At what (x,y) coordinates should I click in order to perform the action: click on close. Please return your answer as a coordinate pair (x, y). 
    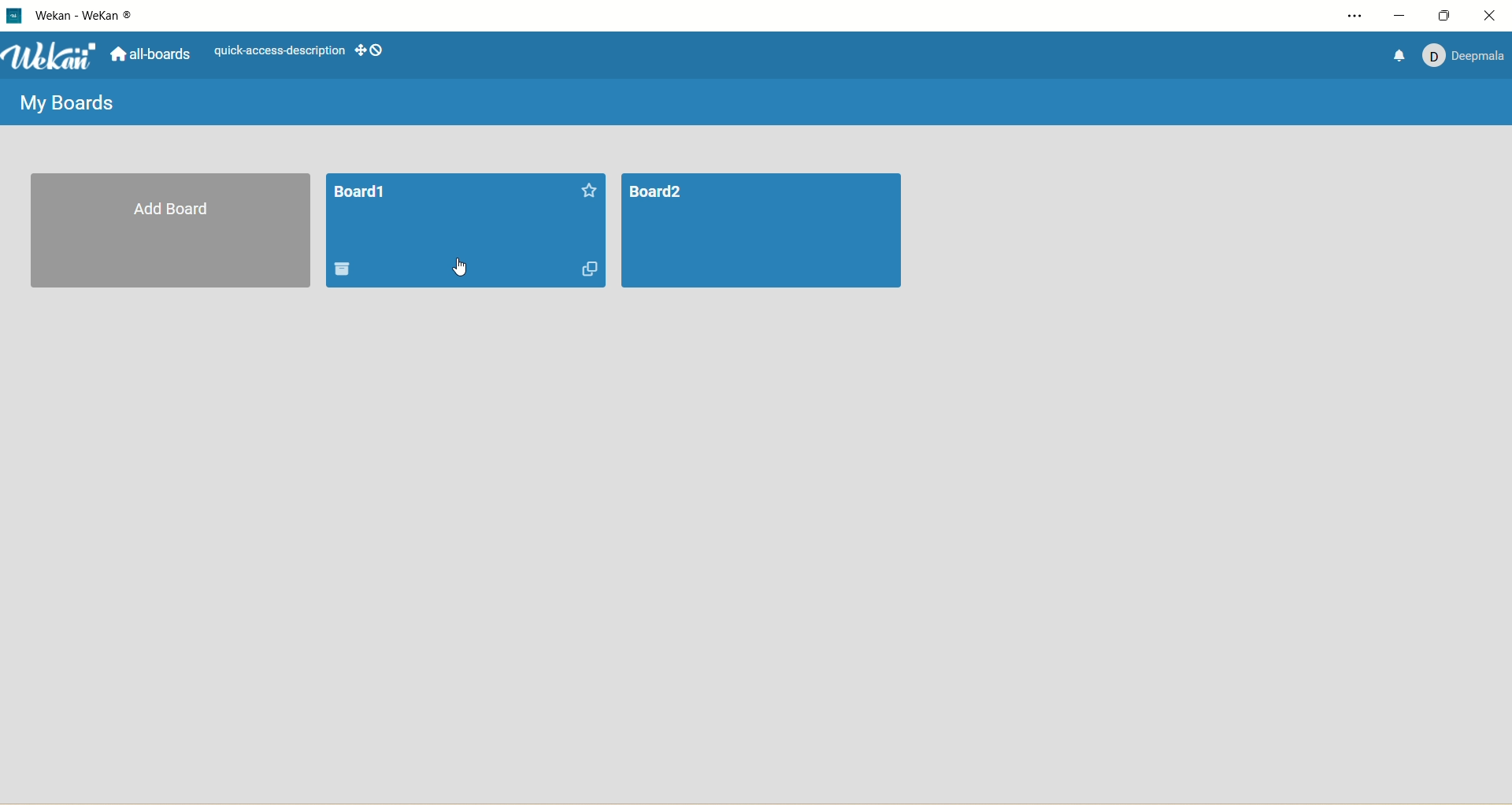
    Looking at the image, I should click on (1490, 15).